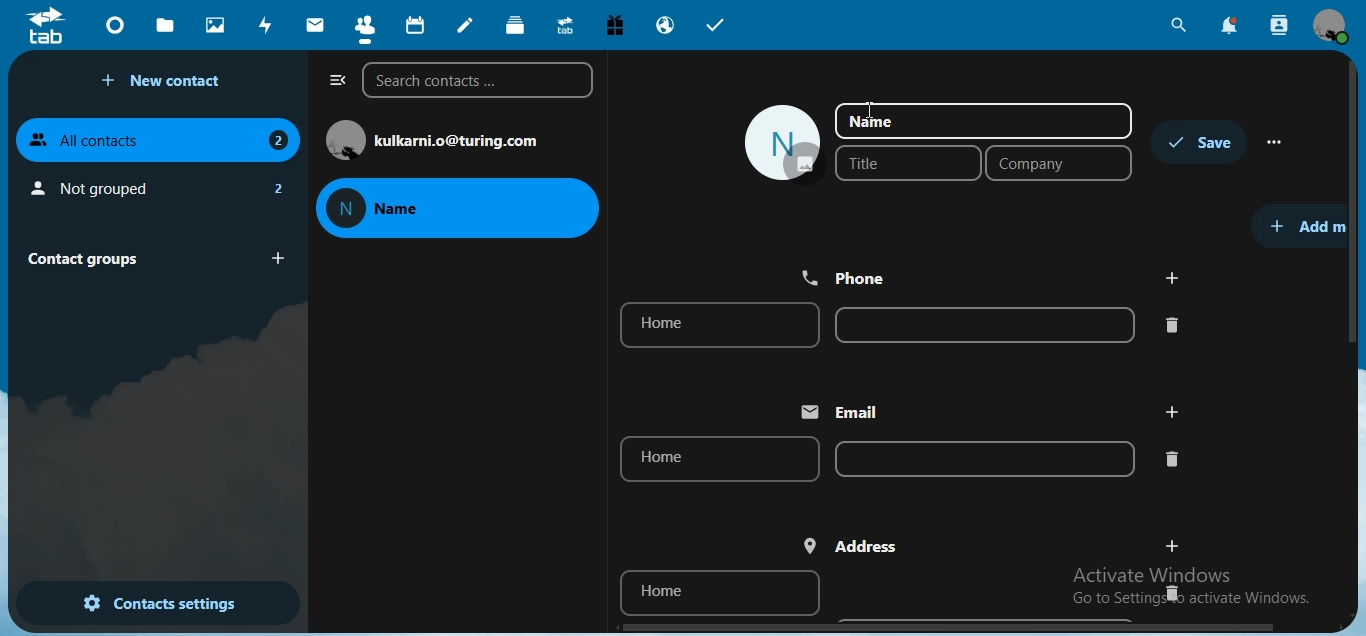 The width and height of the screenshot is (1366, 636). Describe the element at coordinates (1169, 592) in the screenshot. I see `delete` at that location.